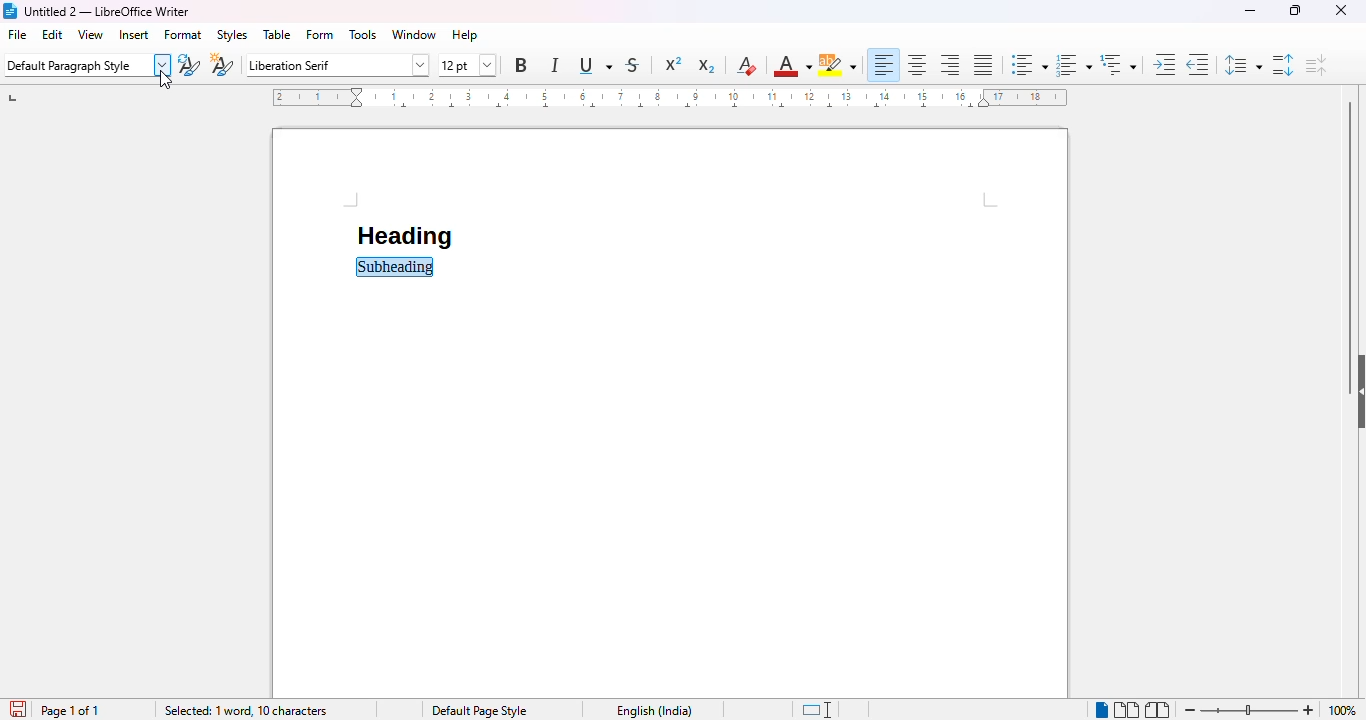 The image size is (1366, 720). What do you see at coordinates (1100, 709) in the screenshot?
I see `single page view` at bounding box center [1100, 709].